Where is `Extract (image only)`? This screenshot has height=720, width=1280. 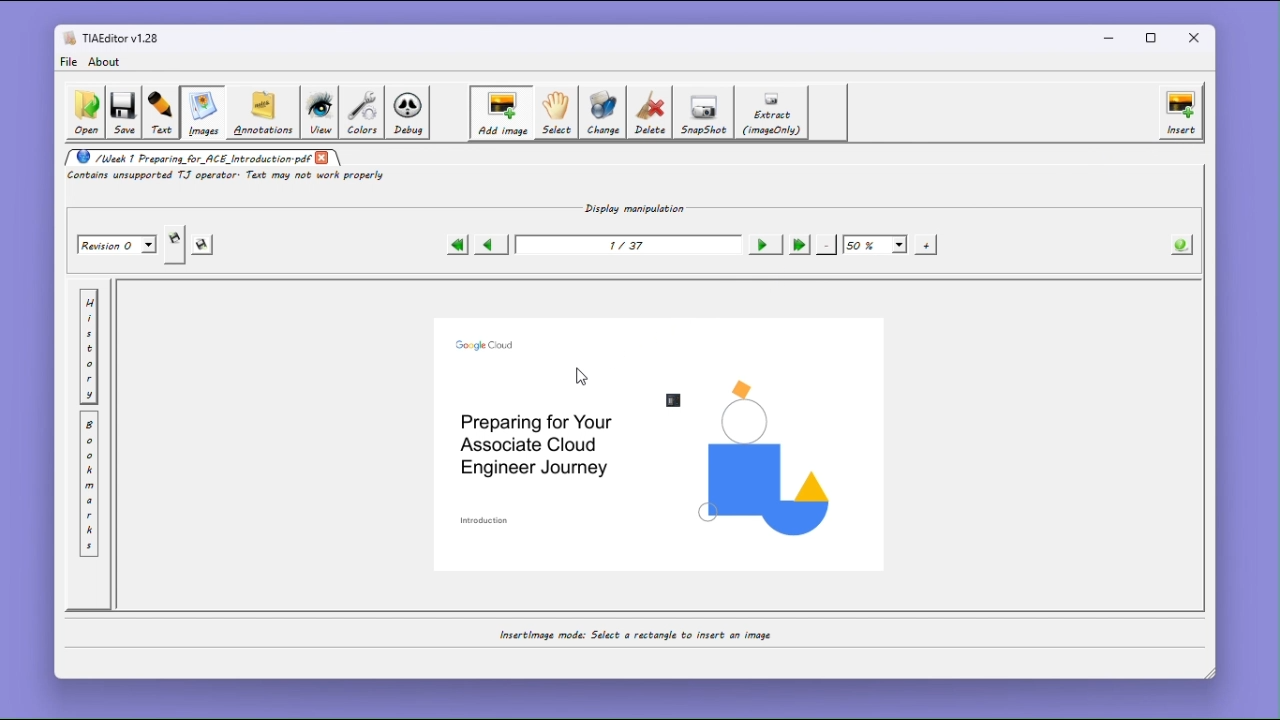
Extract (image only) is located at coordinates (773, 113).